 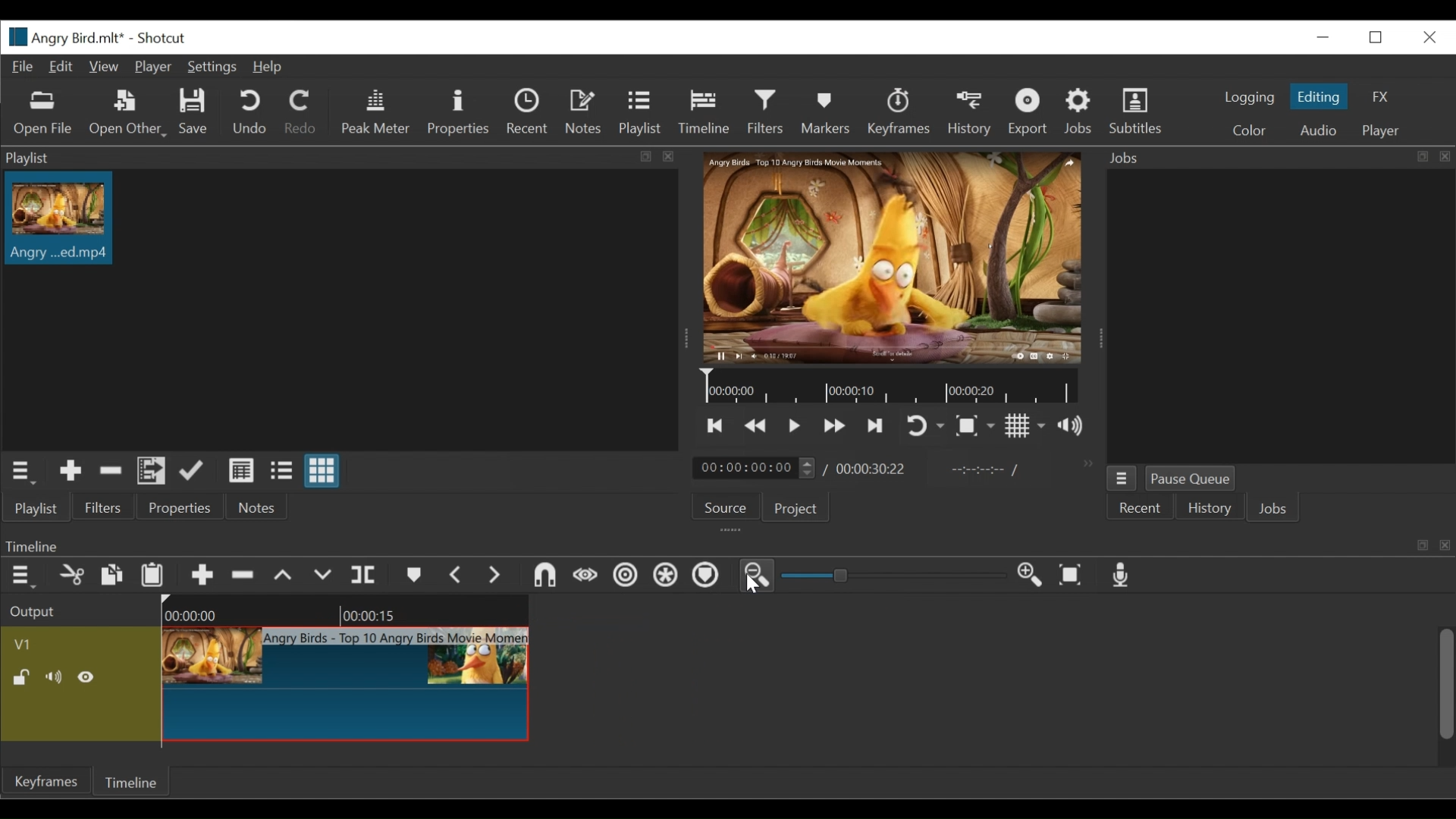 What do you see at coordinates (1073, 577) in the screenshot?
I see `Zoom timeline to fit` at bounding box center [1073, 577].